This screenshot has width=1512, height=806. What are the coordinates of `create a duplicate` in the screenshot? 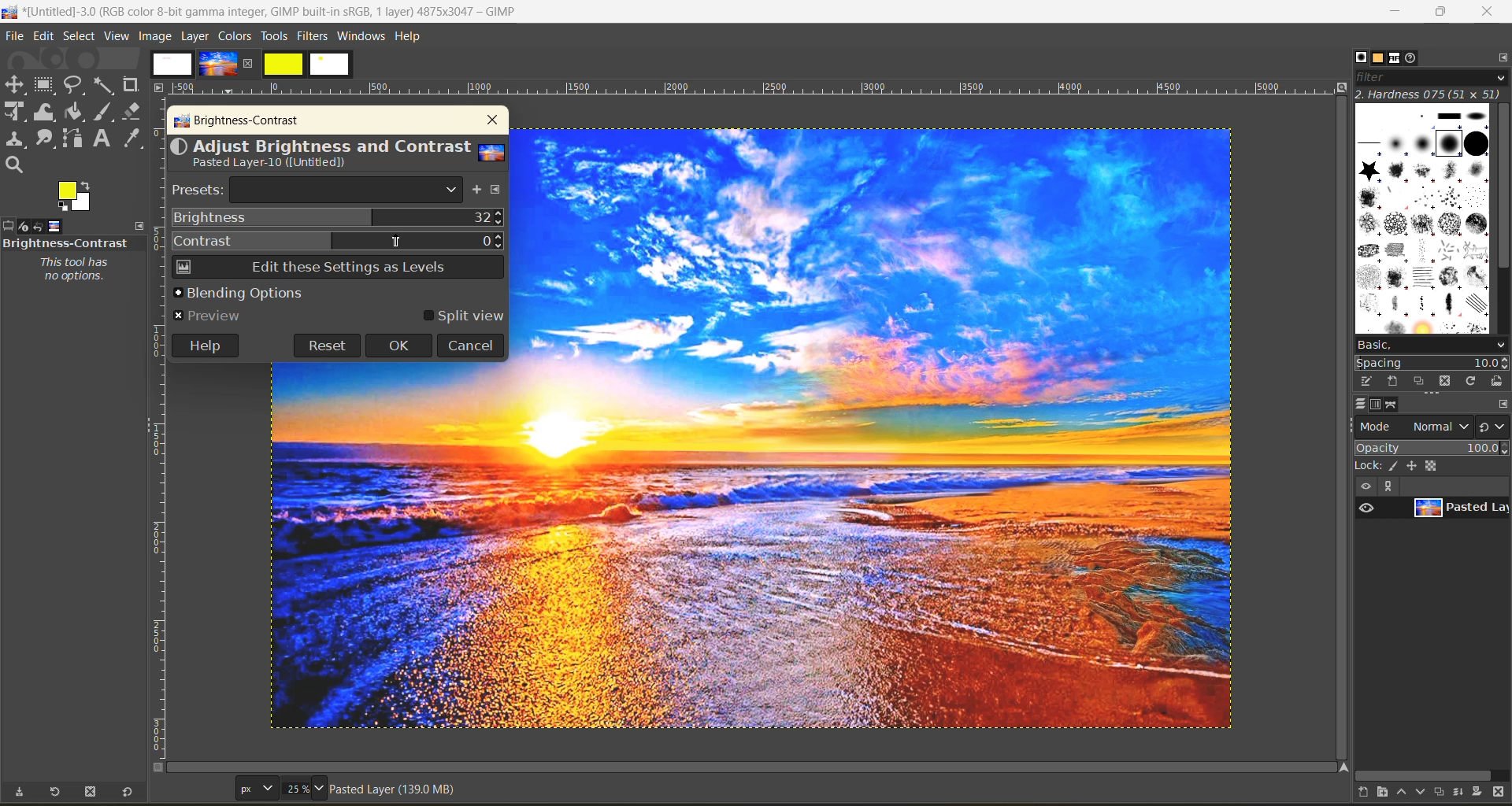 It's located at (1442, 791).